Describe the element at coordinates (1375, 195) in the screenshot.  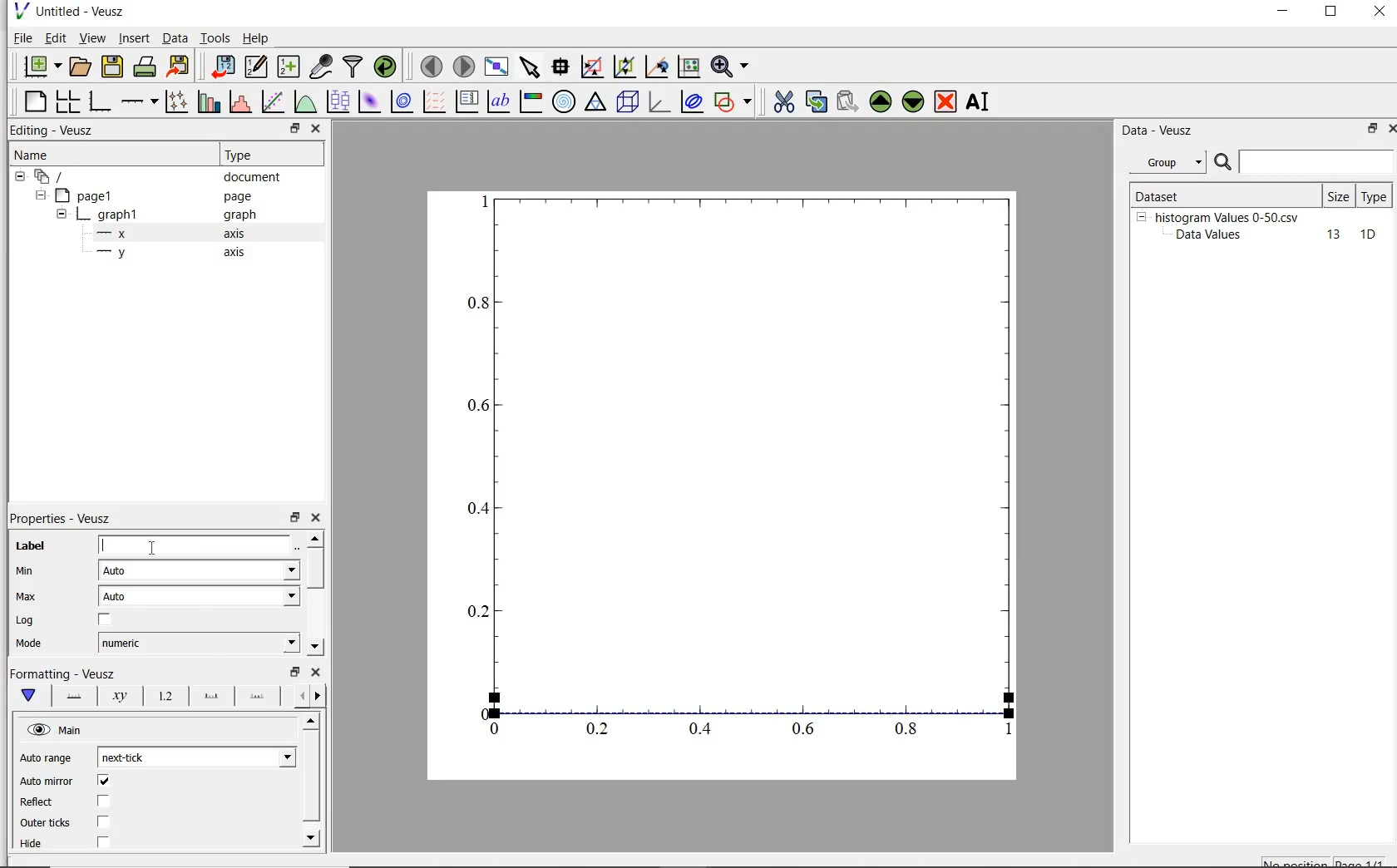
I see `type` at that location.